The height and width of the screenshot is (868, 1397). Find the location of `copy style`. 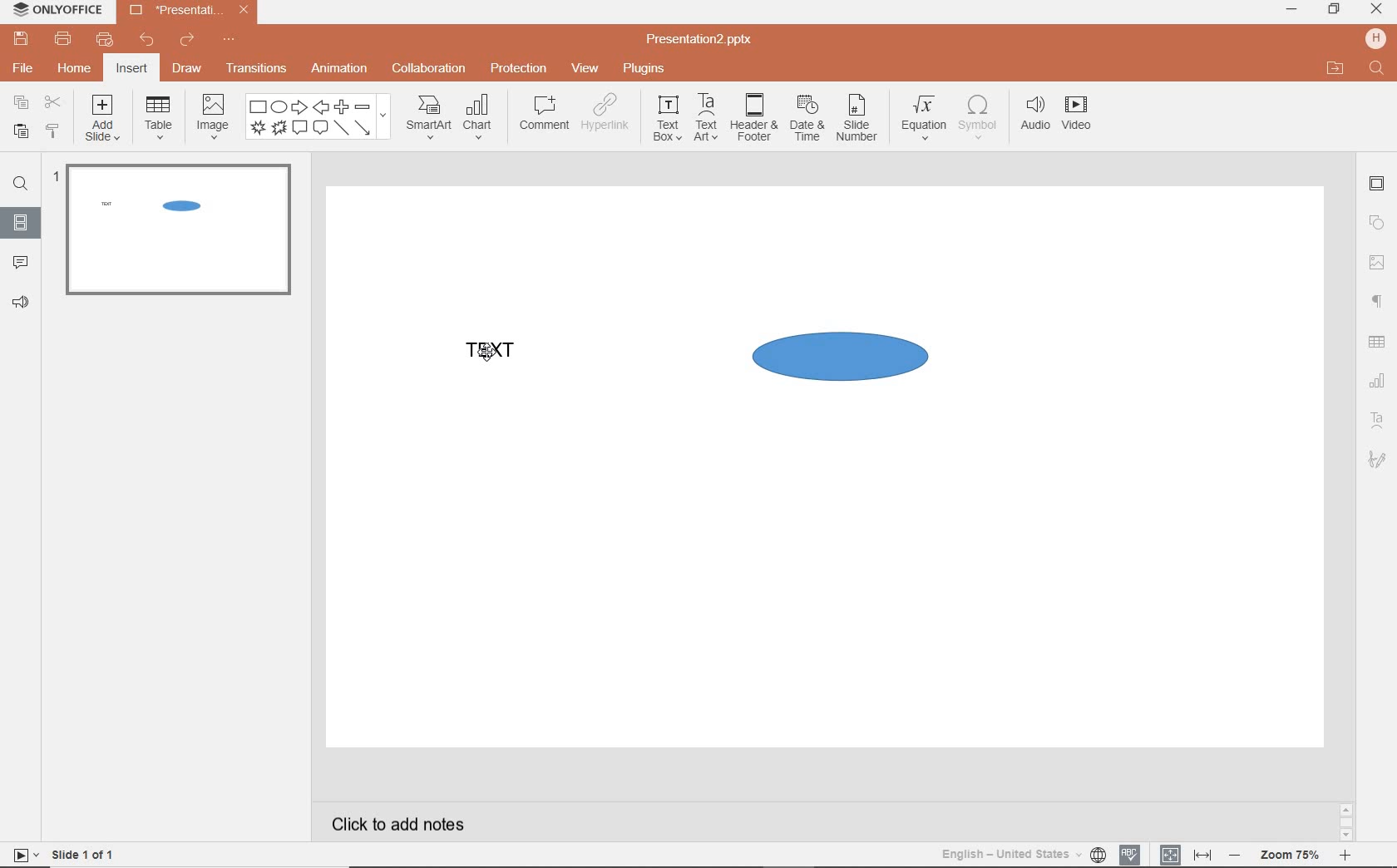

copy style is located at coordinates (52, 131).